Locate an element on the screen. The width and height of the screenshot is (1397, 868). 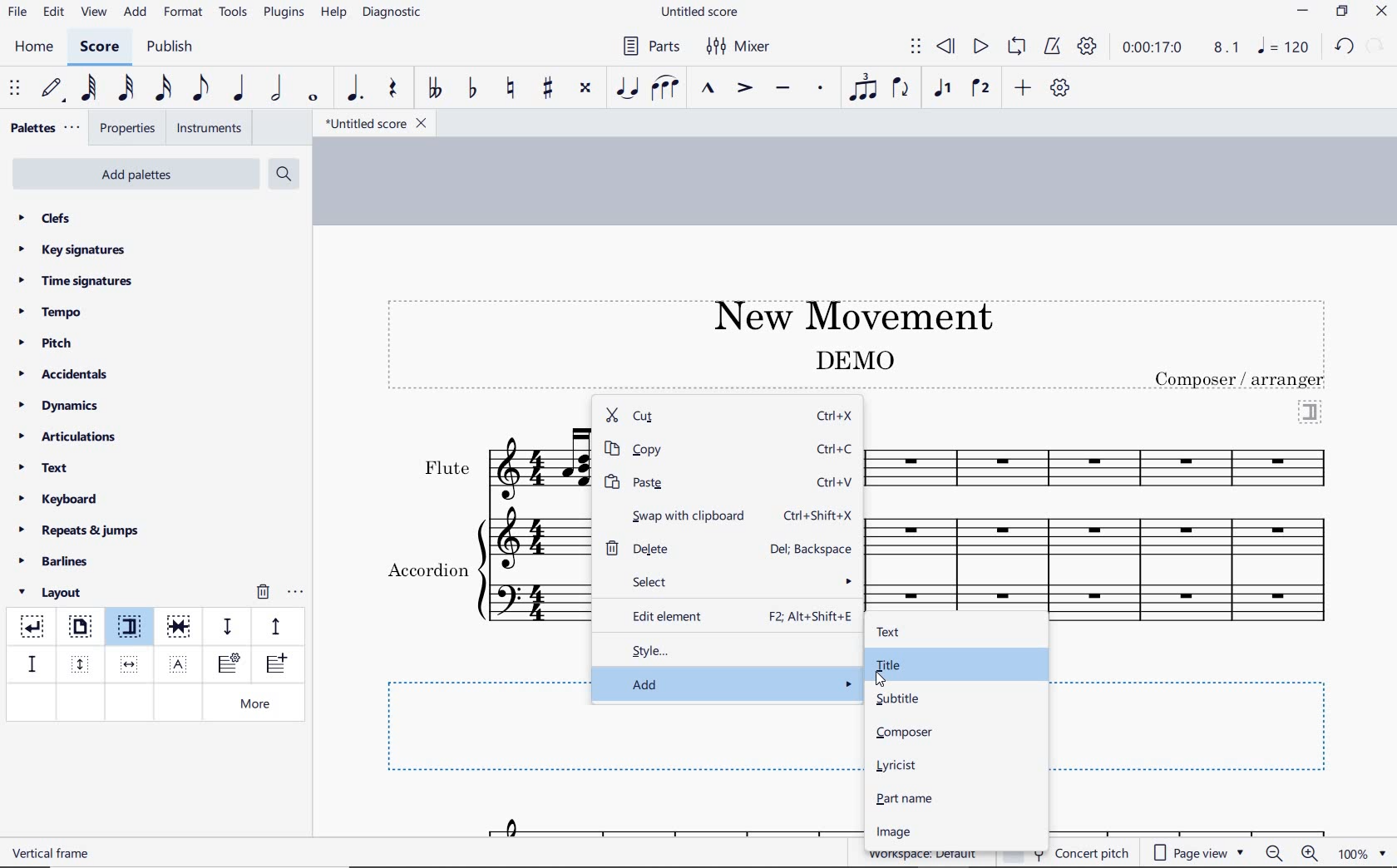
keyboard is located at coordinates (59, 499).